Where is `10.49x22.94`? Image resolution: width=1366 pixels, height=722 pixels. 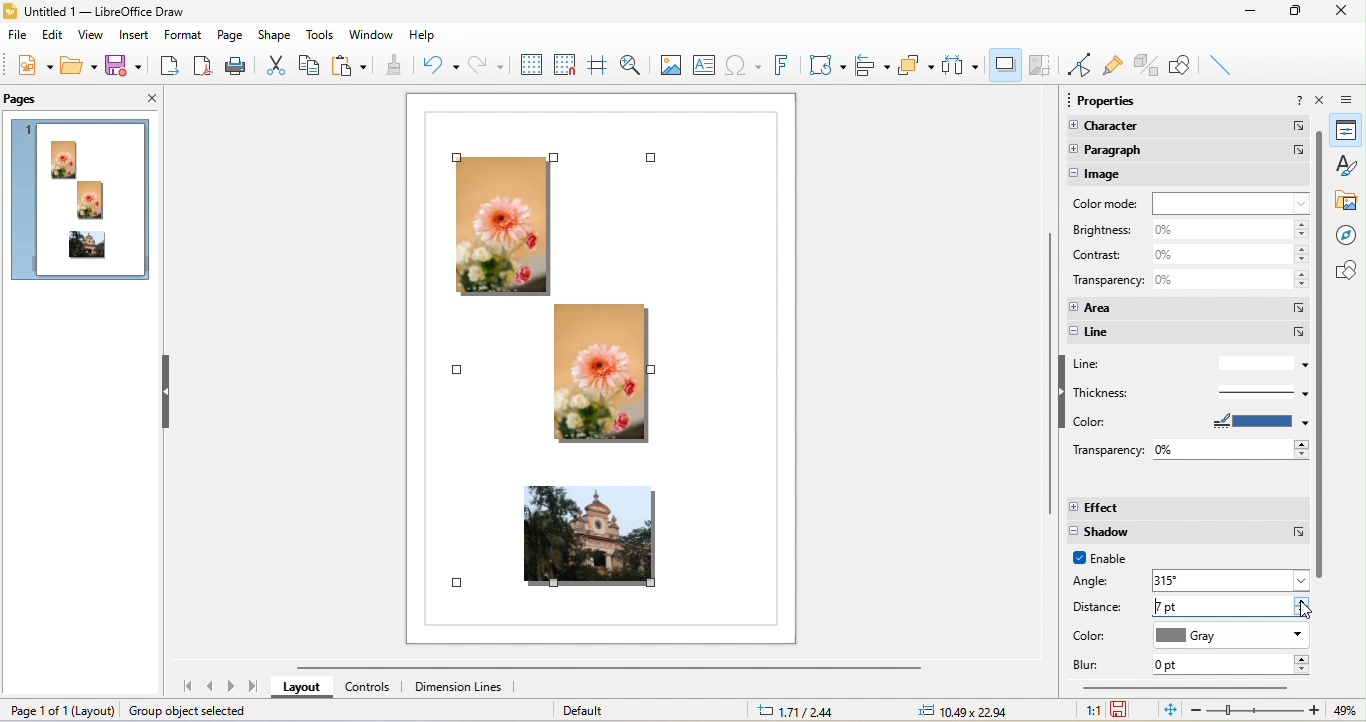
10.49x22.94 is located at coordinates (963, 710).